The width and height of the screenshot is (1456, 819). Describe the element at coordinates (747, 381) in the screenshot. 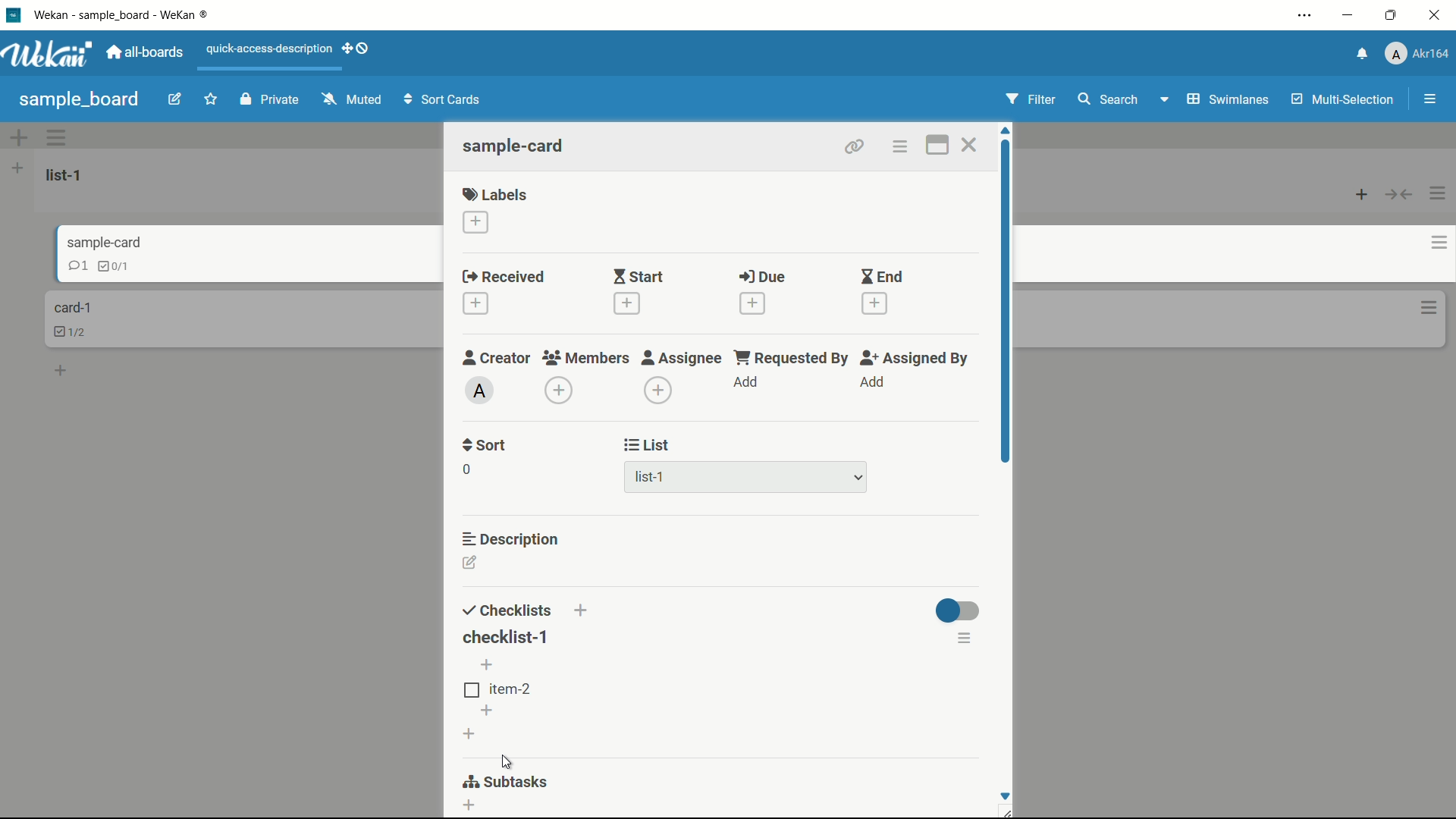

I see `add` at that location.